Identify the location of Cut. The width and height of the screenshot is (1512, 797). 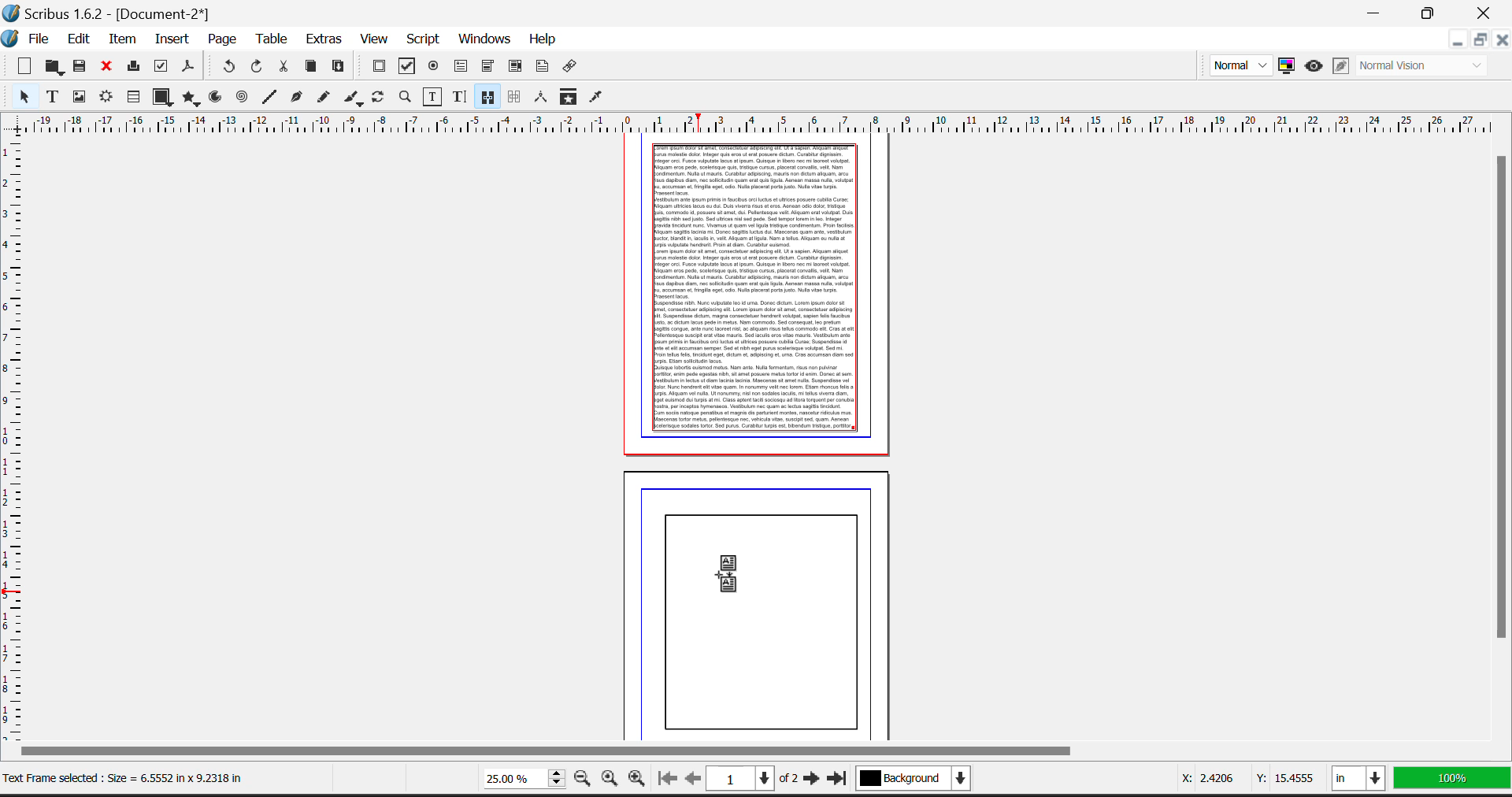
(283, 69).